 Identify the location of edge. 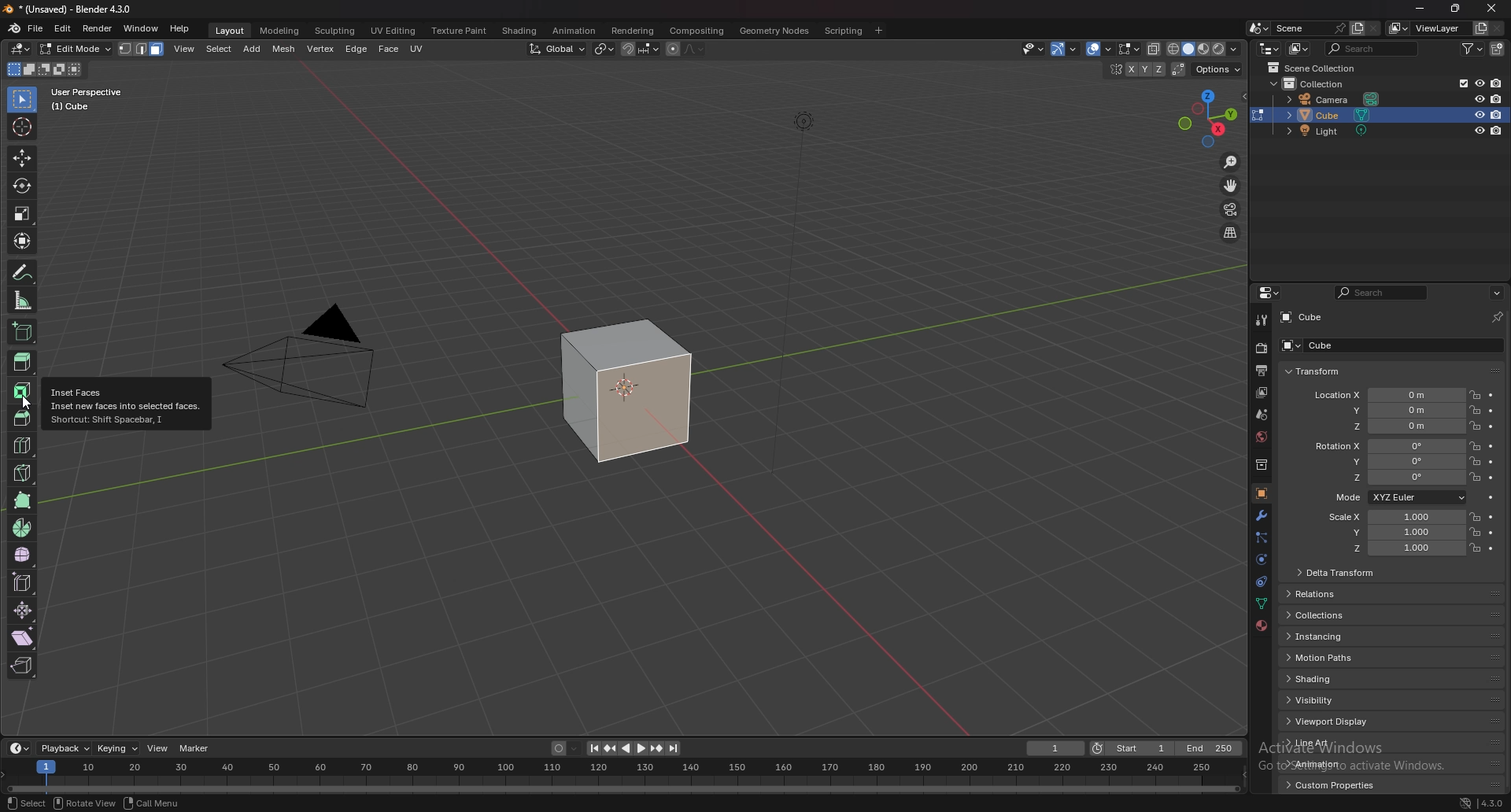
(357, 49).